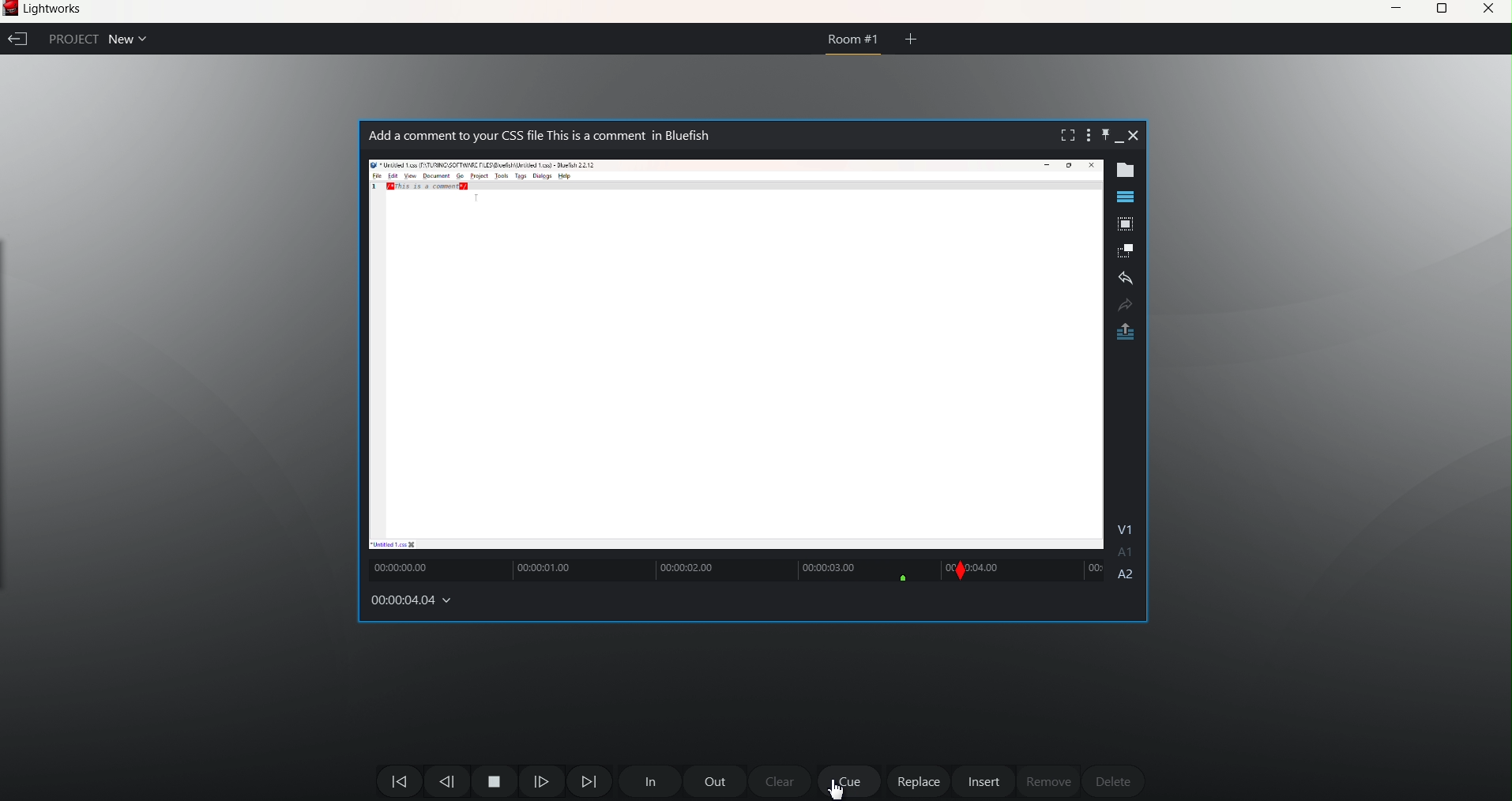 This screenshot has width=1512, height=801. I want to click on insert, so click(984, 781).